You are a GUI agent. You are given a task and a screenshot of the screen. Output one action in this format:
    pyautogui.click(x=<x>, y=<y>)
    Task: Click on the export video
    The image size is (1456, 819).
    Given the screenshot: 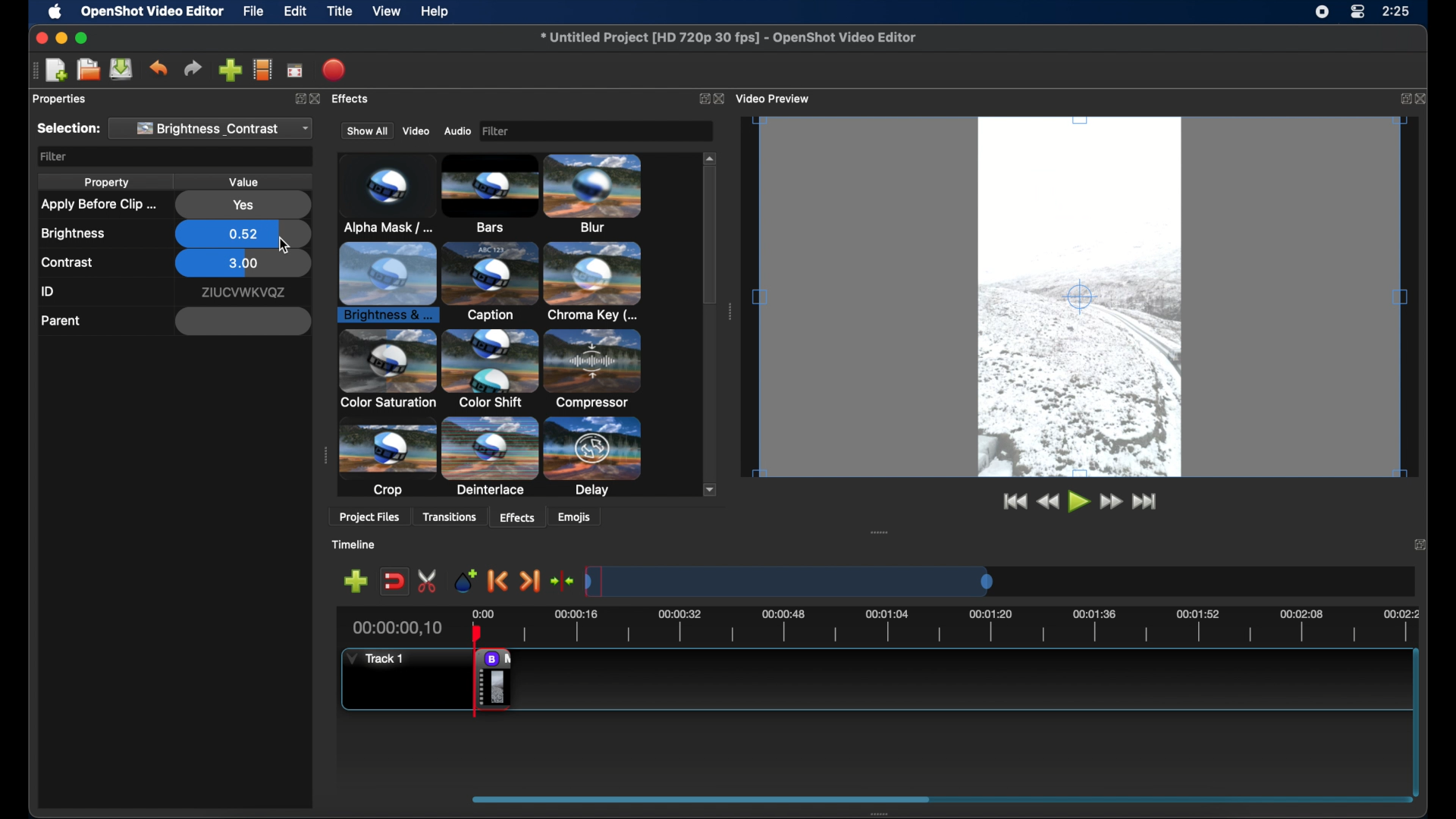 What is the action you would take?
    pyautogui.click(x=334, y=69)
    